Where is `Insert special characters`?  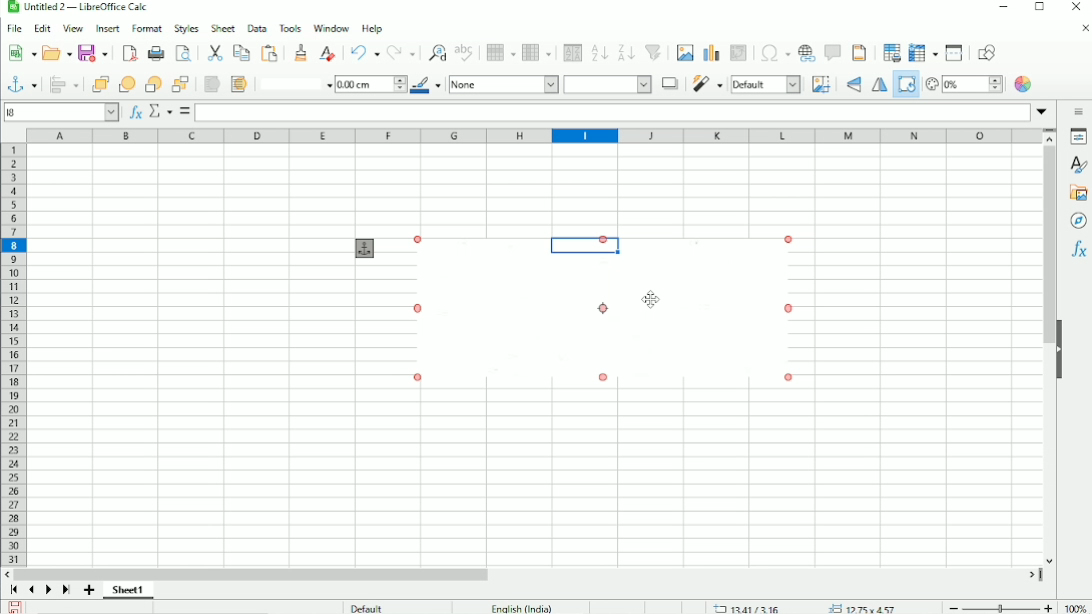
Insert special characters is located at coordinates (775, 52).